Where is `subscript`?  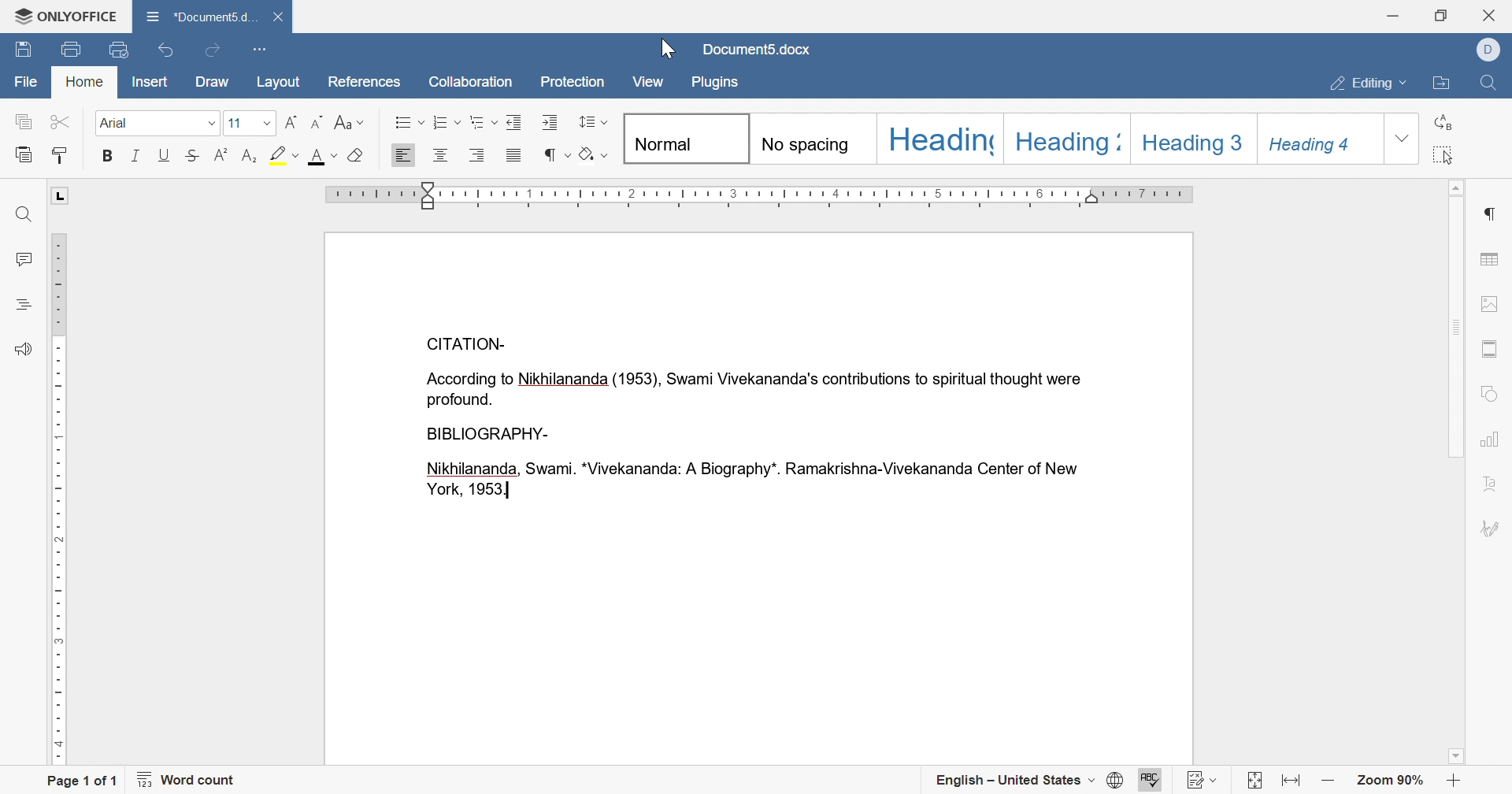
subscript is located at coordinates (249, 158).